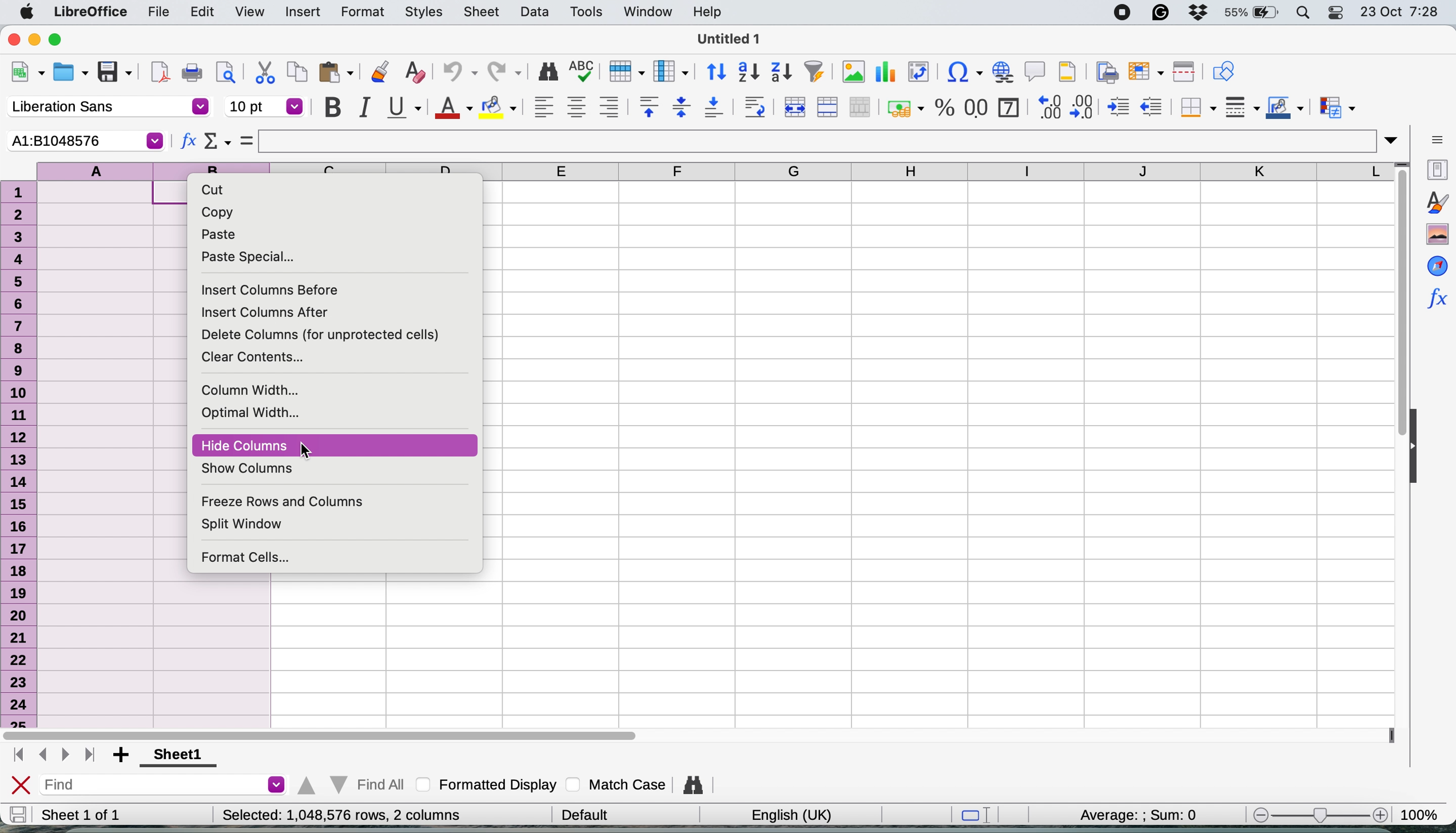 The image size is (1456, 833). What do you see at coordinates (887, 72) in the screenshot?
I see `insert chart` at bounding box center [887, 72].